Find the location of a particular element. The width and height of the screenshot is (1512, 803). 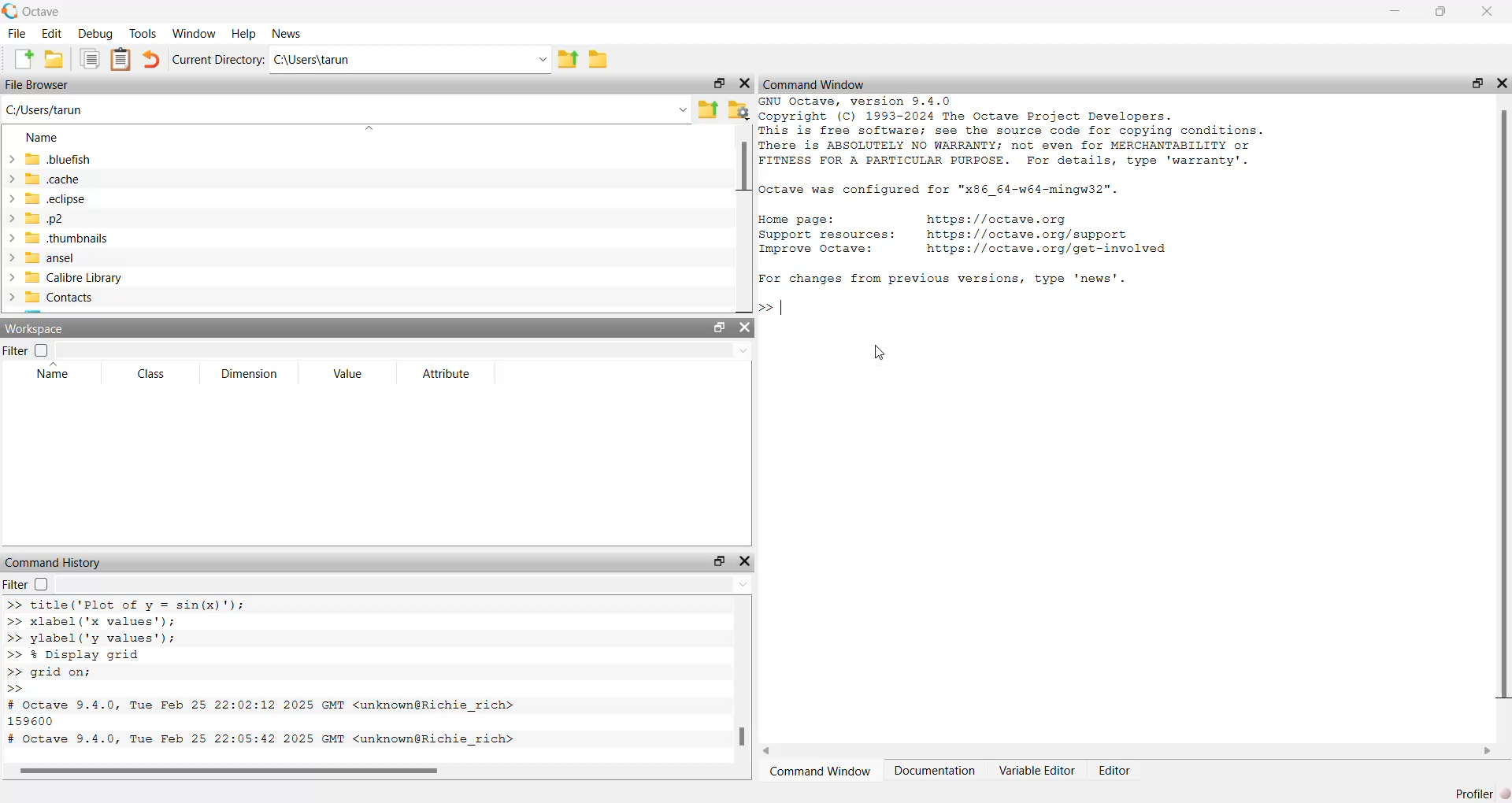

Workspace is located at coordinates (41, 328).